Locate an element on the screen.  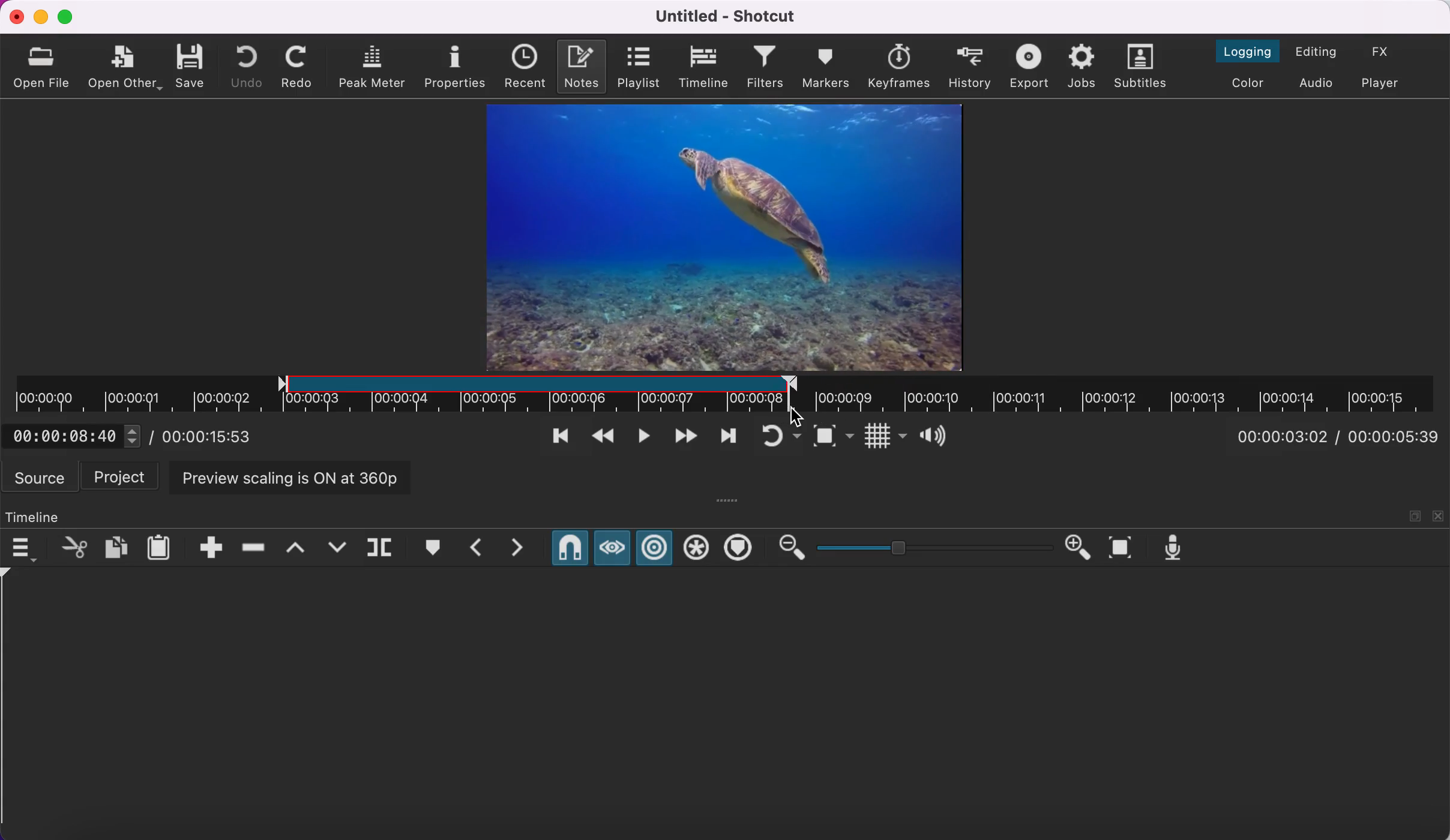
current position is located at coordinates (1287, 436).